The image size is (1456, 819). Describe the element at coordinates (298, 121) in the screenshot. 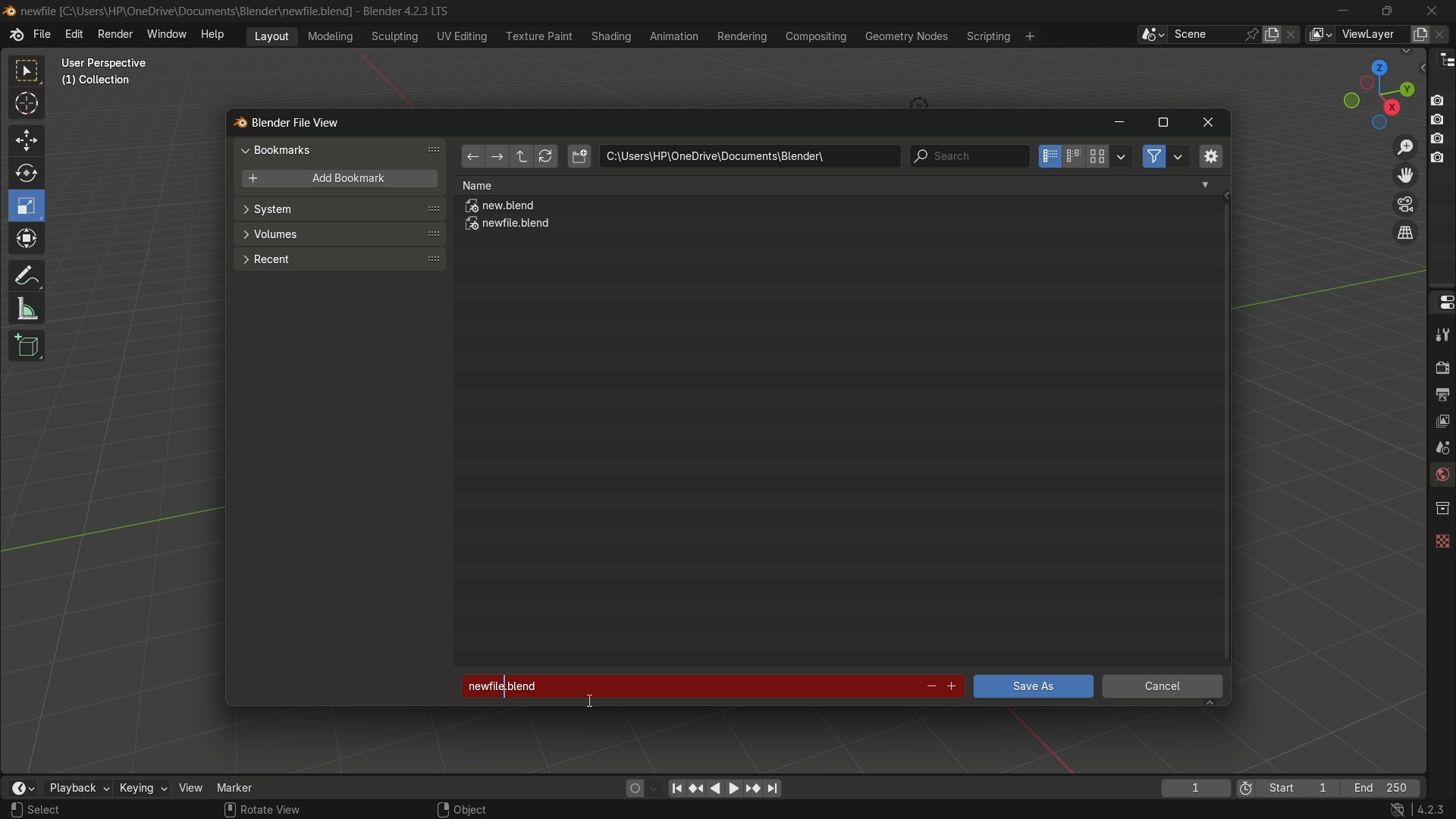

I see `blender file view` at that location.